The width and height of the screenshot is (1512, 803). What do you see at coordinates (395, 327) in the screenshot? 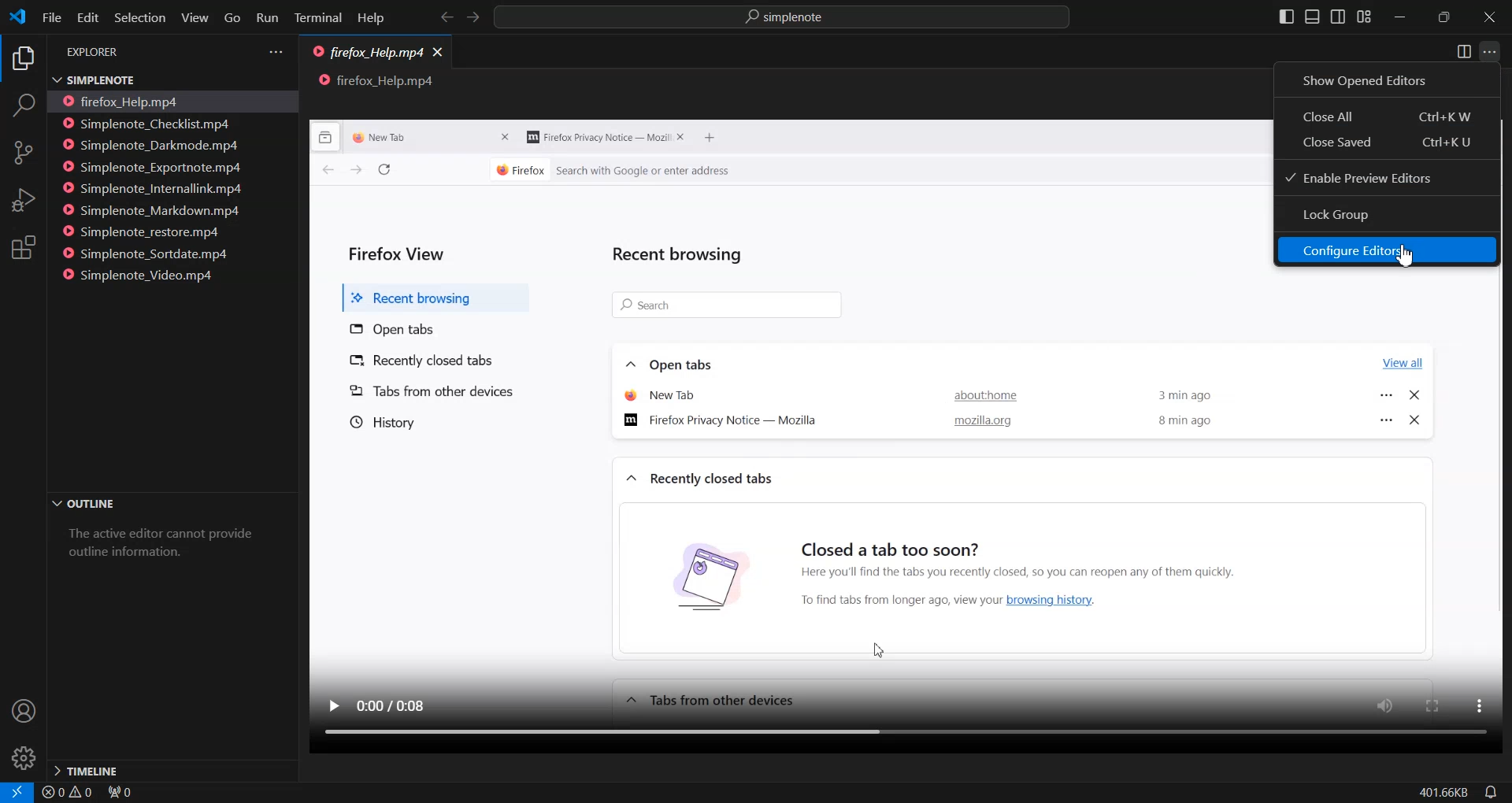
I see `open tabs` at bounding box center [395, 327].